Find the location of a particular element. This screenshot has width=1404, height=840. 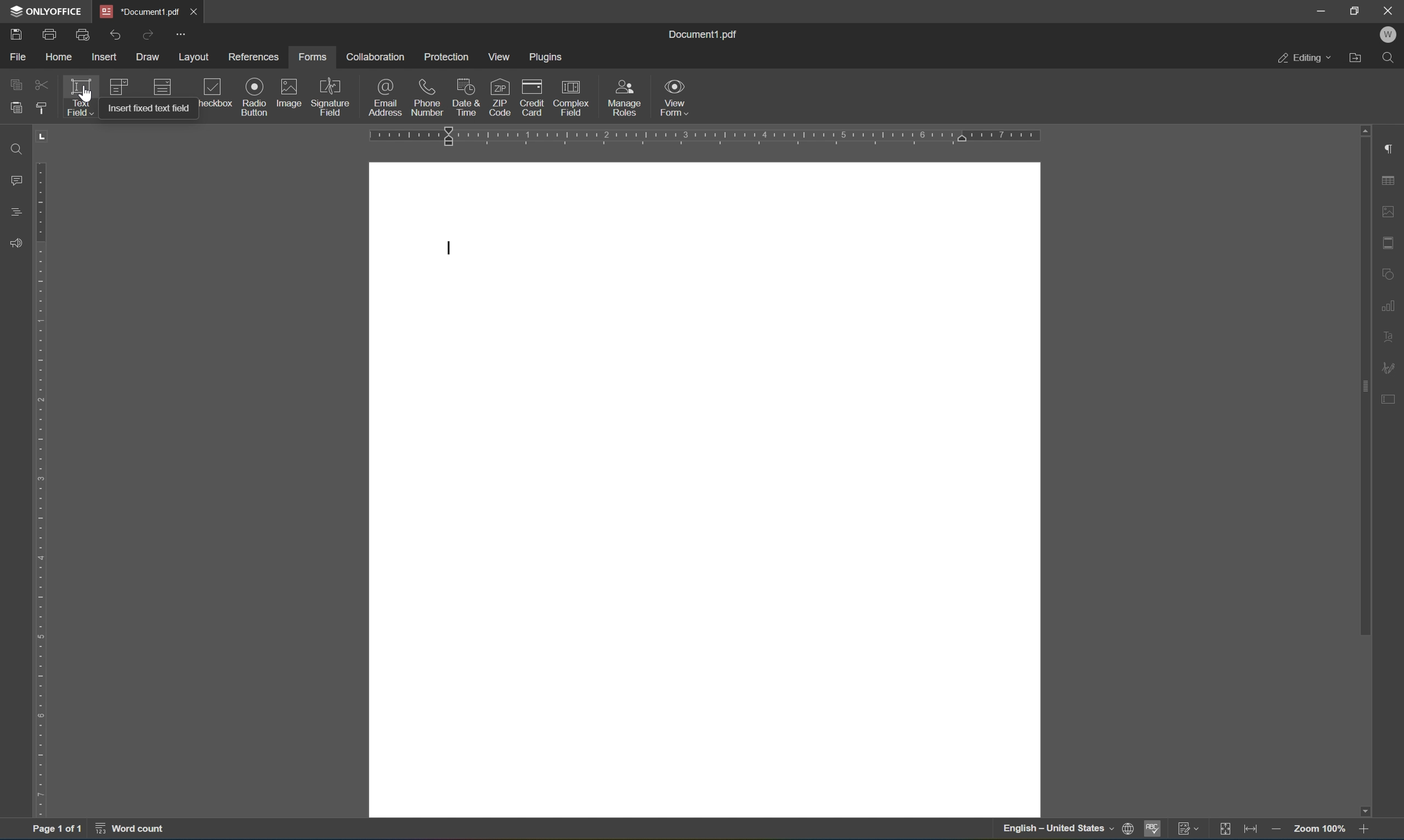

typing pointer is located at coordinates (453, 249).